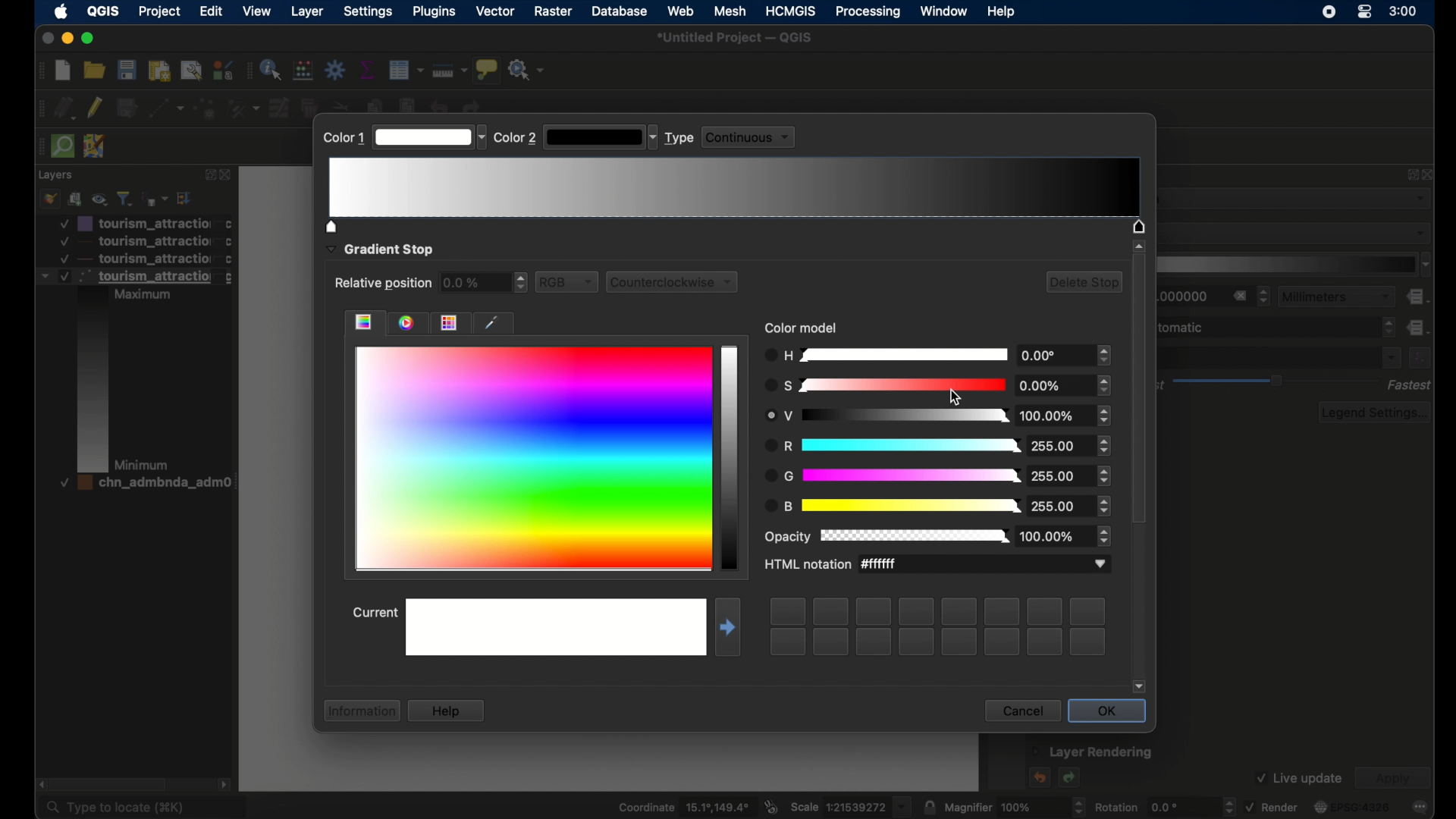 The width and height of the screenshot is (1456, 819). Describe the element at coordinates (142, 241) in the screenshot. I see `layer 2` at that location.